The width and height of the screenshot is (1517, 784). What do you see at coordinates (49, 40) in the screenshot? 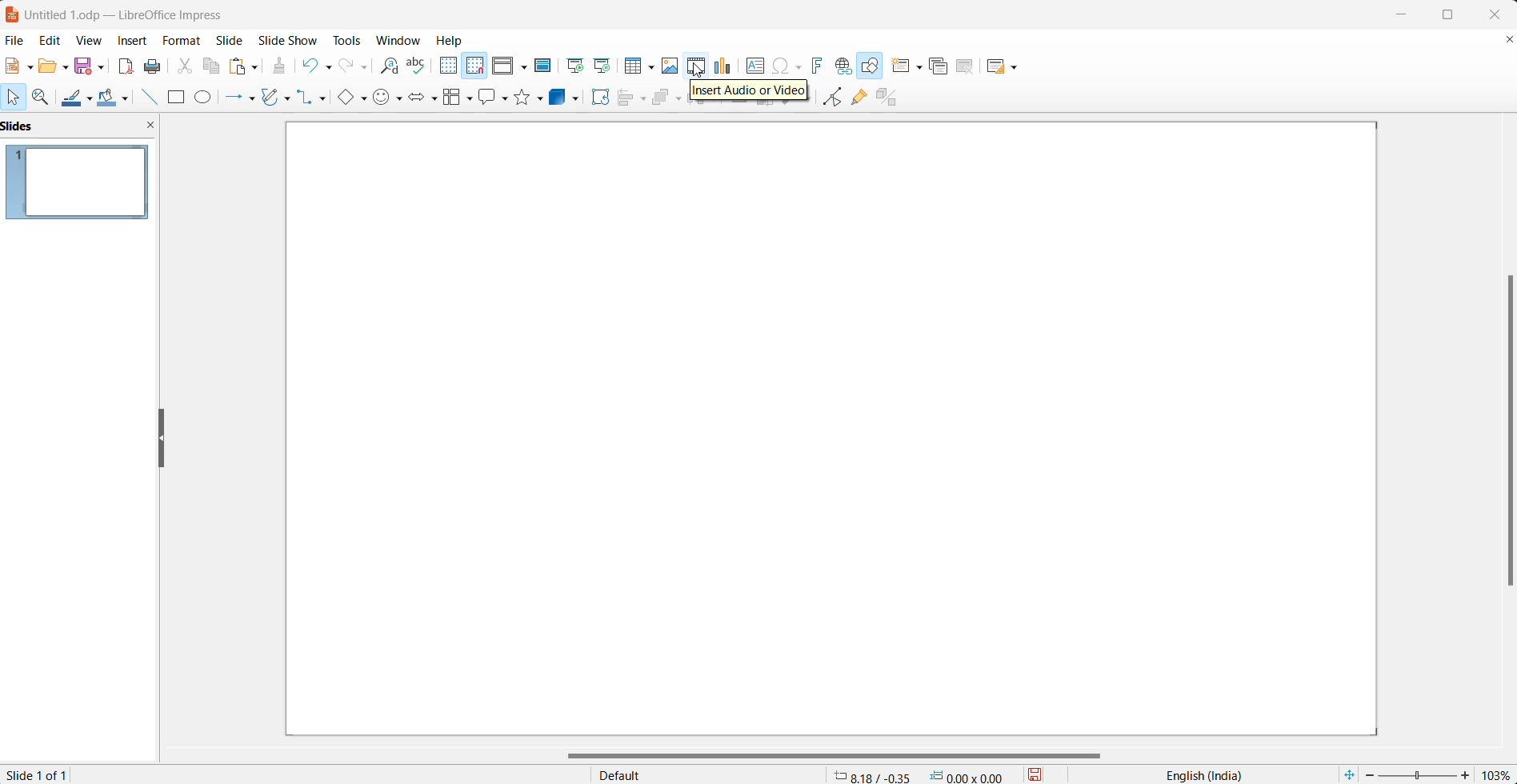
I see `edit` at bounding box center [49, 40].